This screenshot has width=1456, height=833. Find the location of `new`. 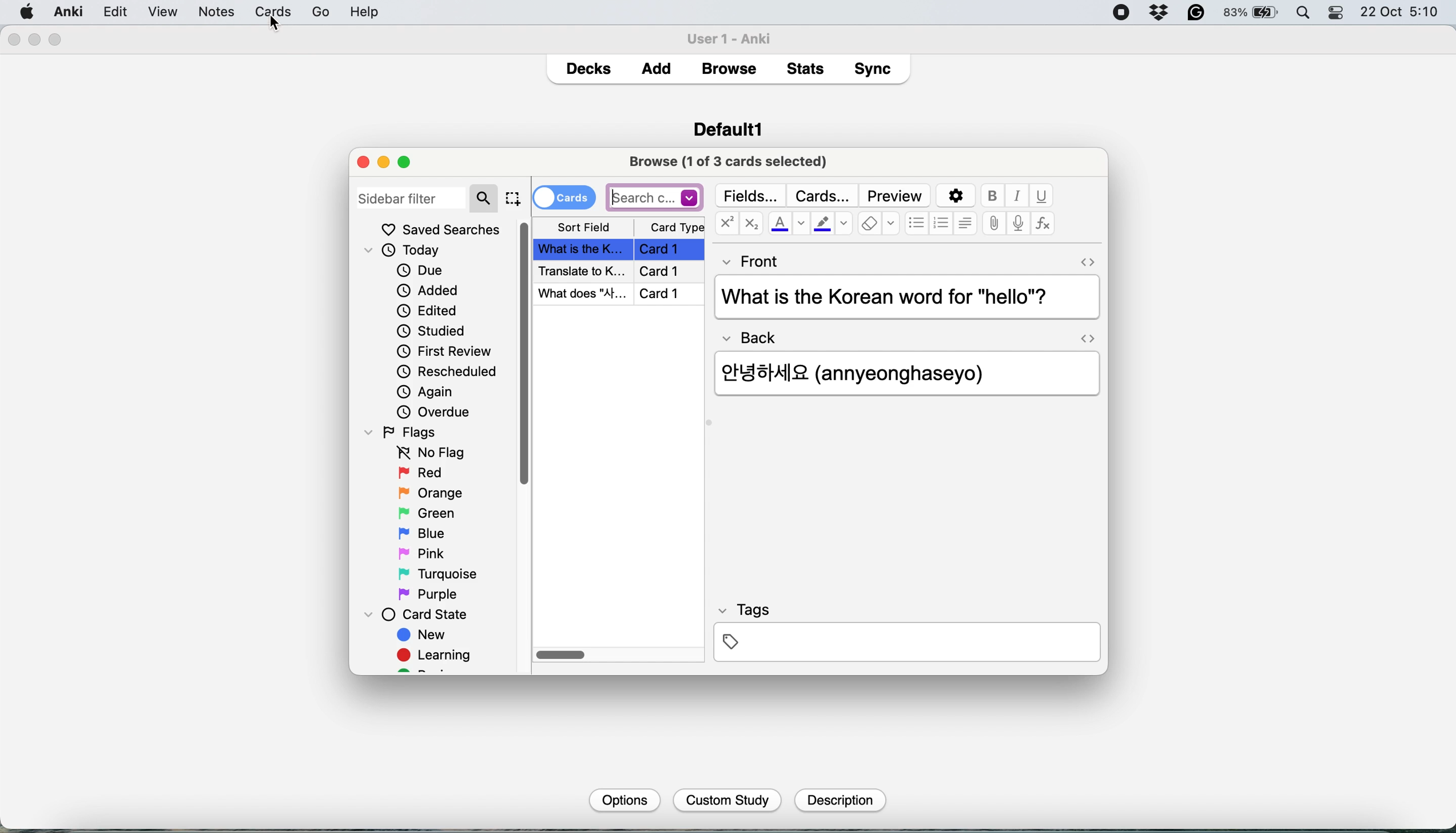

new is located at coordinates (423, 636).